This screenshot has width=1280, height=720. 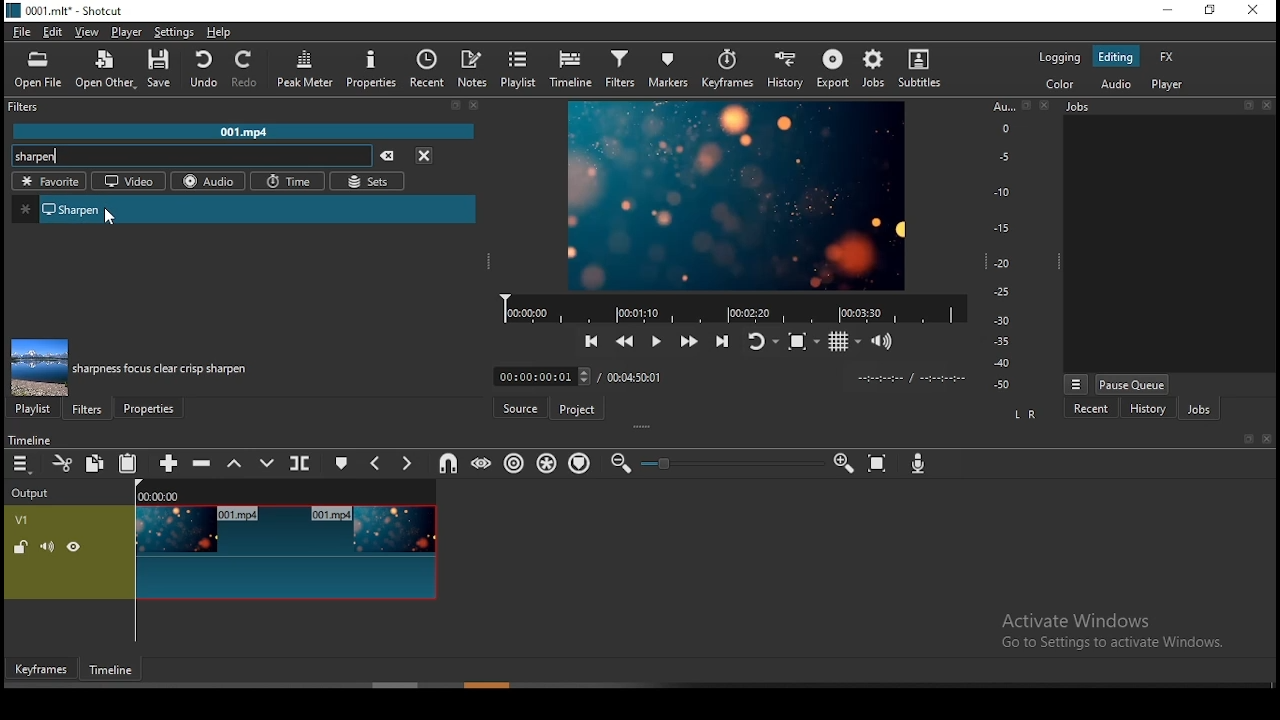 What do you see at coordinates (660, 340) in the screenshot?
I see `play` at bounding box center [660, 340].